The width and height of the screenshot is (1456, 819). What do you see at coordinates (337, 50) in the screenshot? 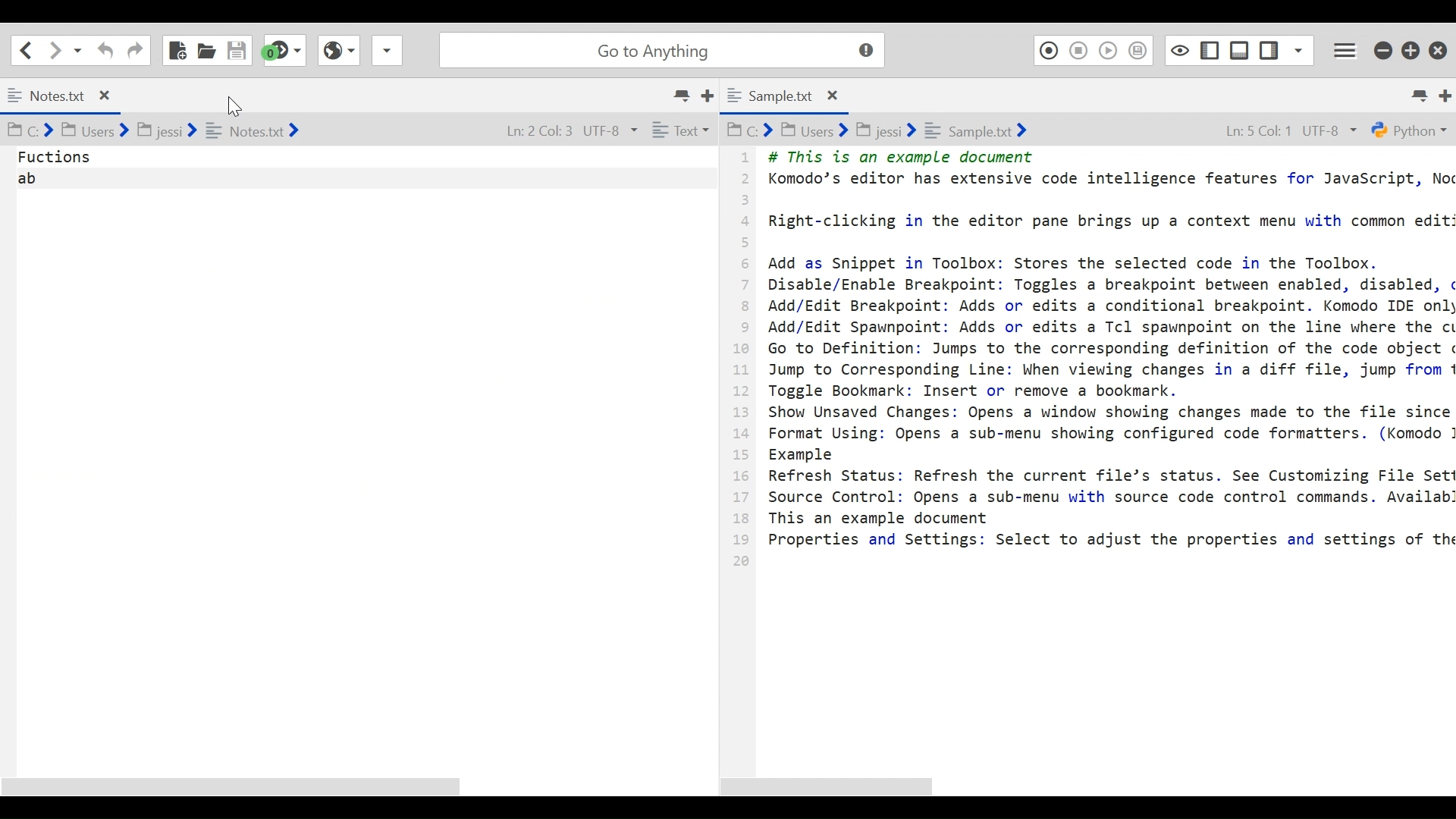
I see `View Browser` at bounding box center [337, 50].